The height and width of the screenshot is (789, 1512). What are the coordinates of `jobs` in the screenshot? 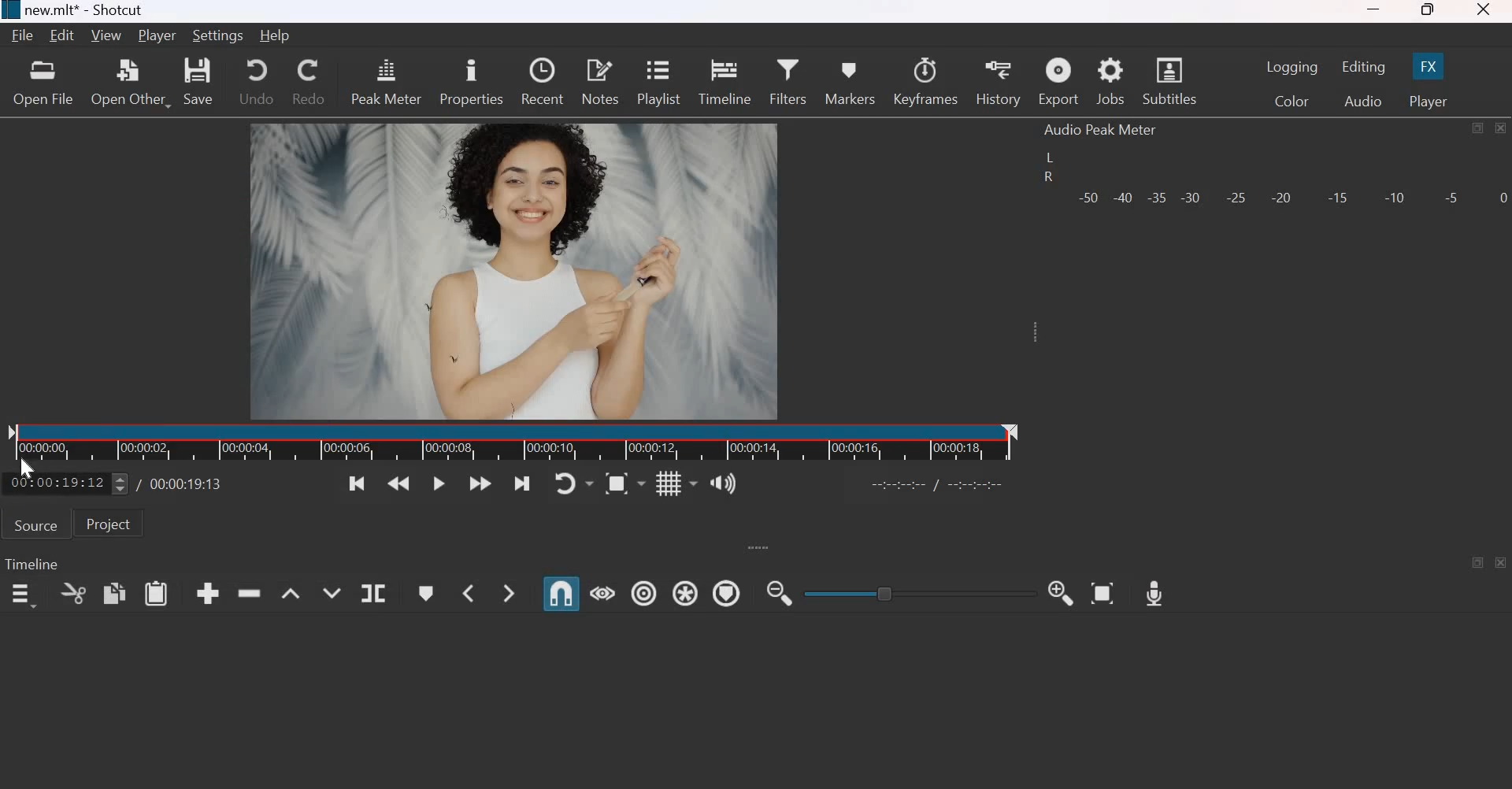 It's located at (1112, 82).